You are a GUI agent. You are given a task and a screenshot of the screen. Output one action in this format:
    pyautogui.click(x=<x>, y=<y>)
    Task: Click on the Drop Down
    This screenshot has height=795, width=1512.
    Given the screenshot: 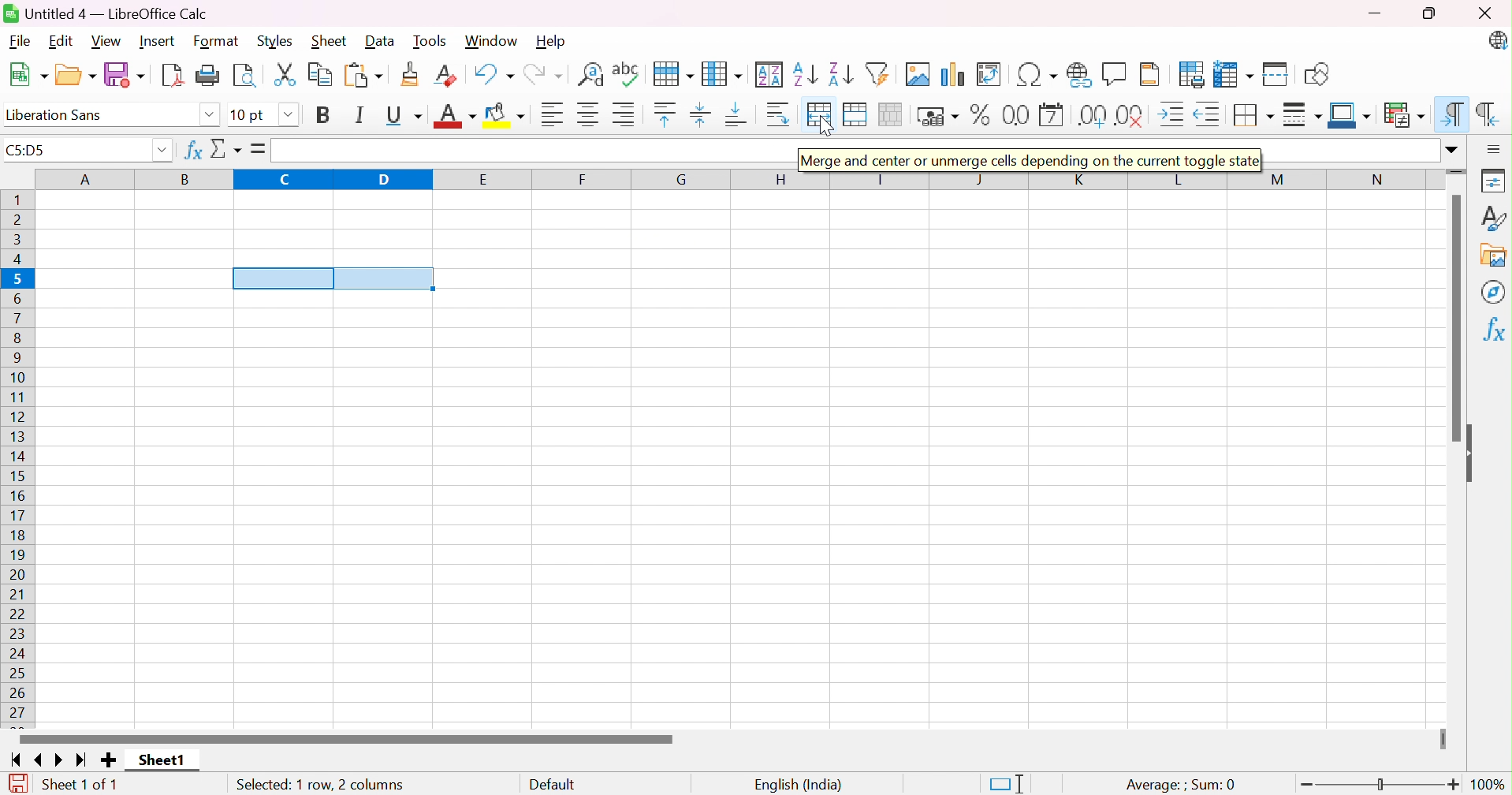 What is the action you would take?
    pyautogui.click(x=288, y=113)
    